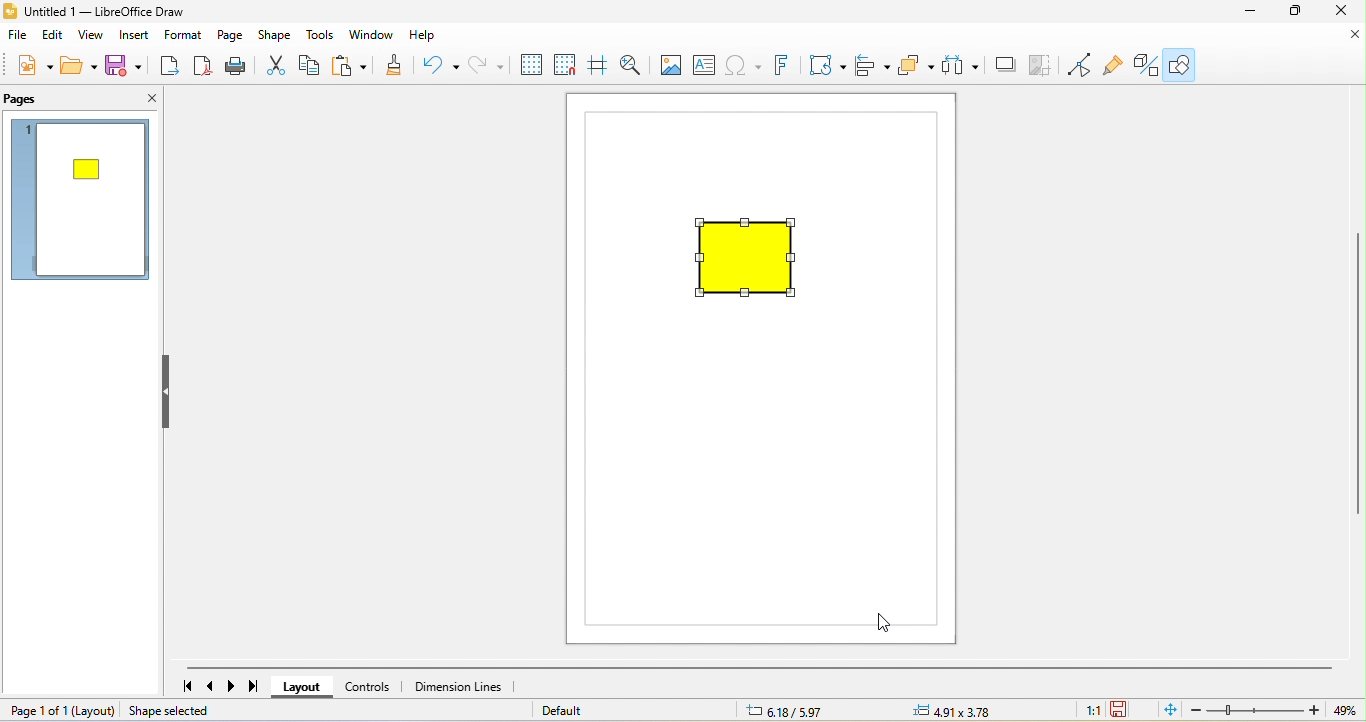 The height and width of the screenshot is (722, 1366). What do you see at coordinates (54, 36) in the screenshot?
I see `edit` at bounding box center [54, 36].